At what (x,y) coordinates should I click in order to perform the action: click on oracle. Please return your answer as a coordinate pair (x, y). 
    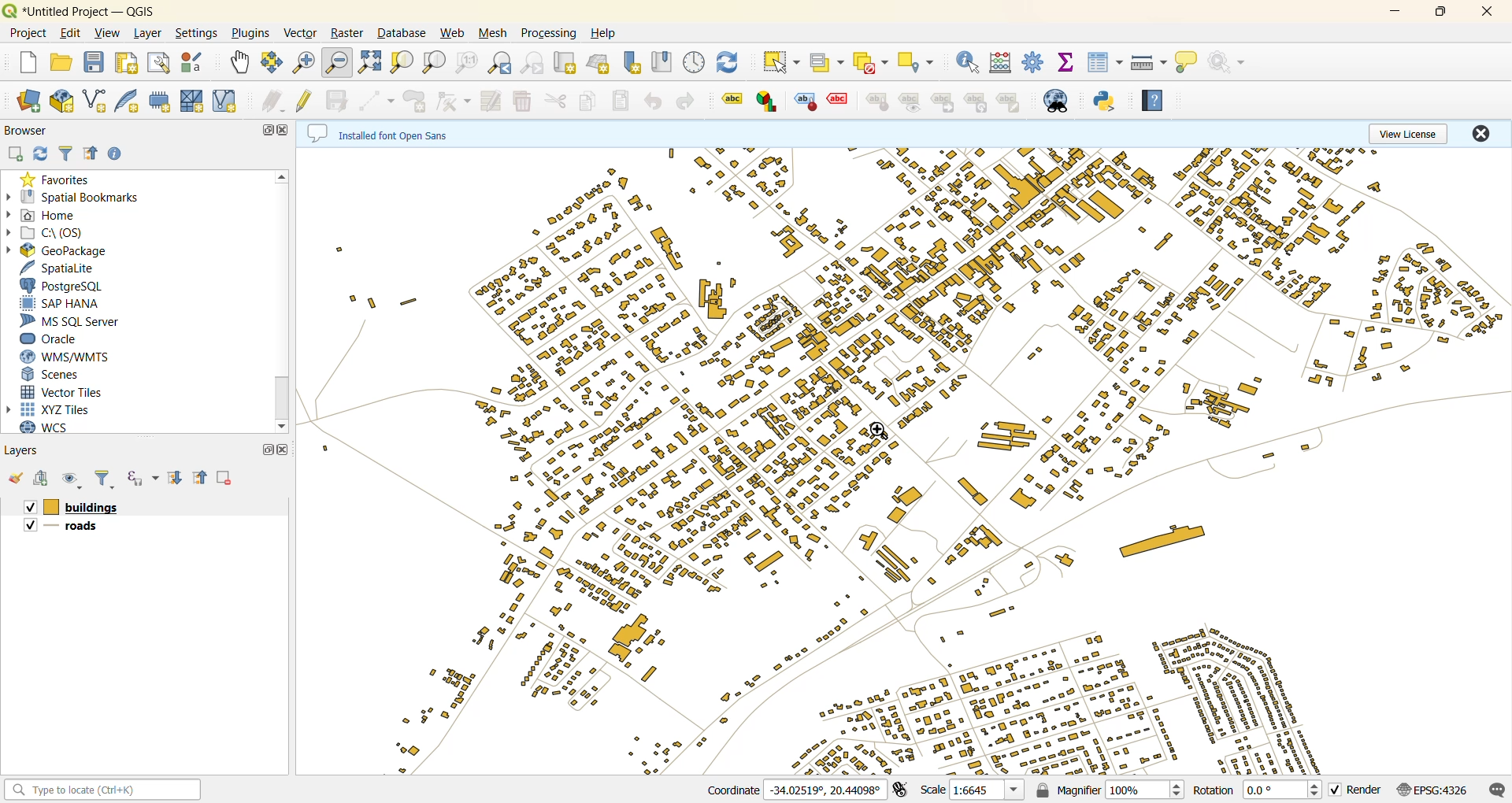
    Looking at the image, I should click on (55, 338).